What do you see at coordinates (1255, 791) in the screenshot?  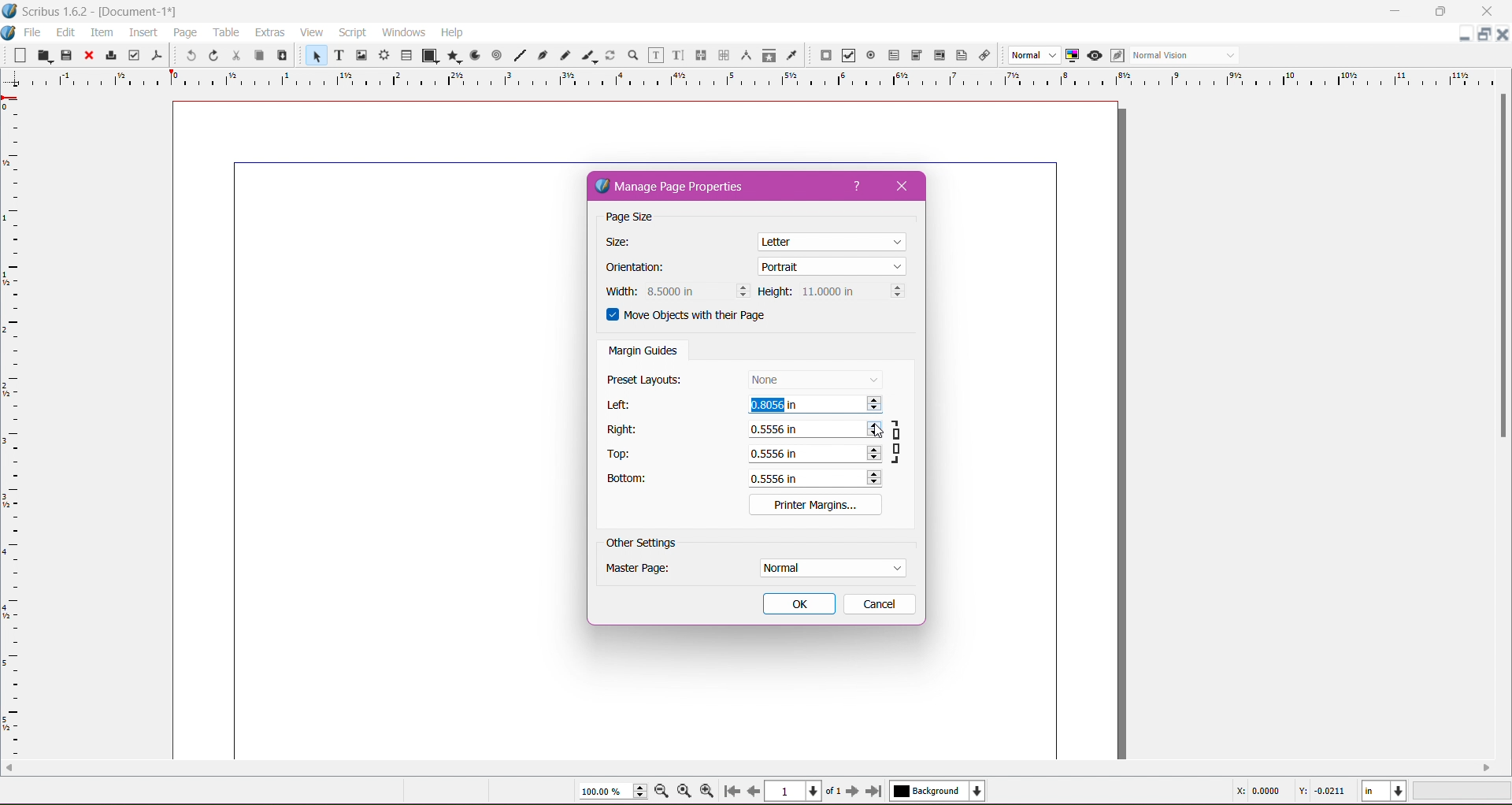 I see `Cursor Coordinate - X` at bounding box center [1255, 791].